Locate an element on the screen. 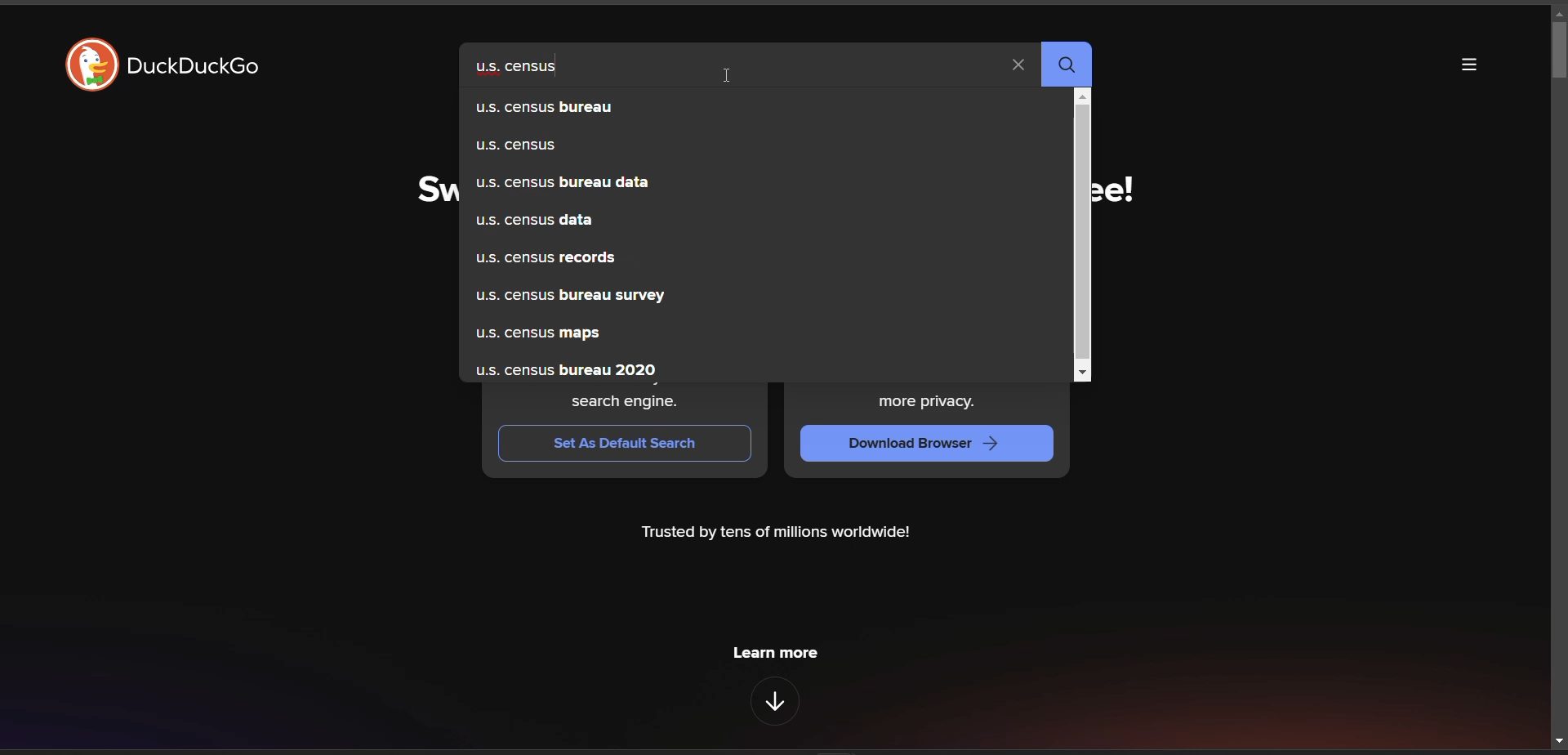 This screenshot has width=1568, height=755. u.s. census records is located at coordinates (746, 257).